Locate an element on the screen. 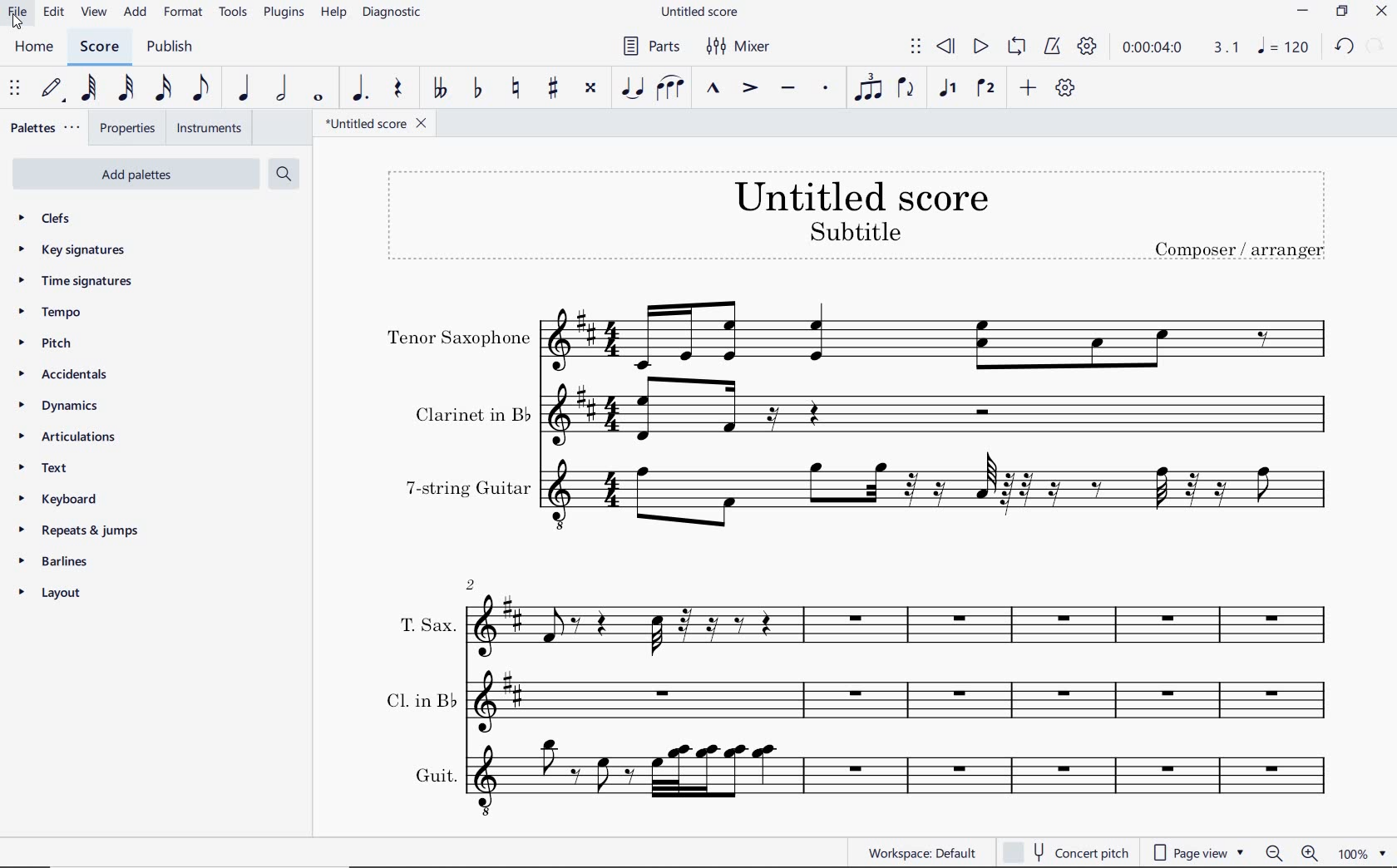  zoom out or zoom in is located at coordinates (1293, 853).